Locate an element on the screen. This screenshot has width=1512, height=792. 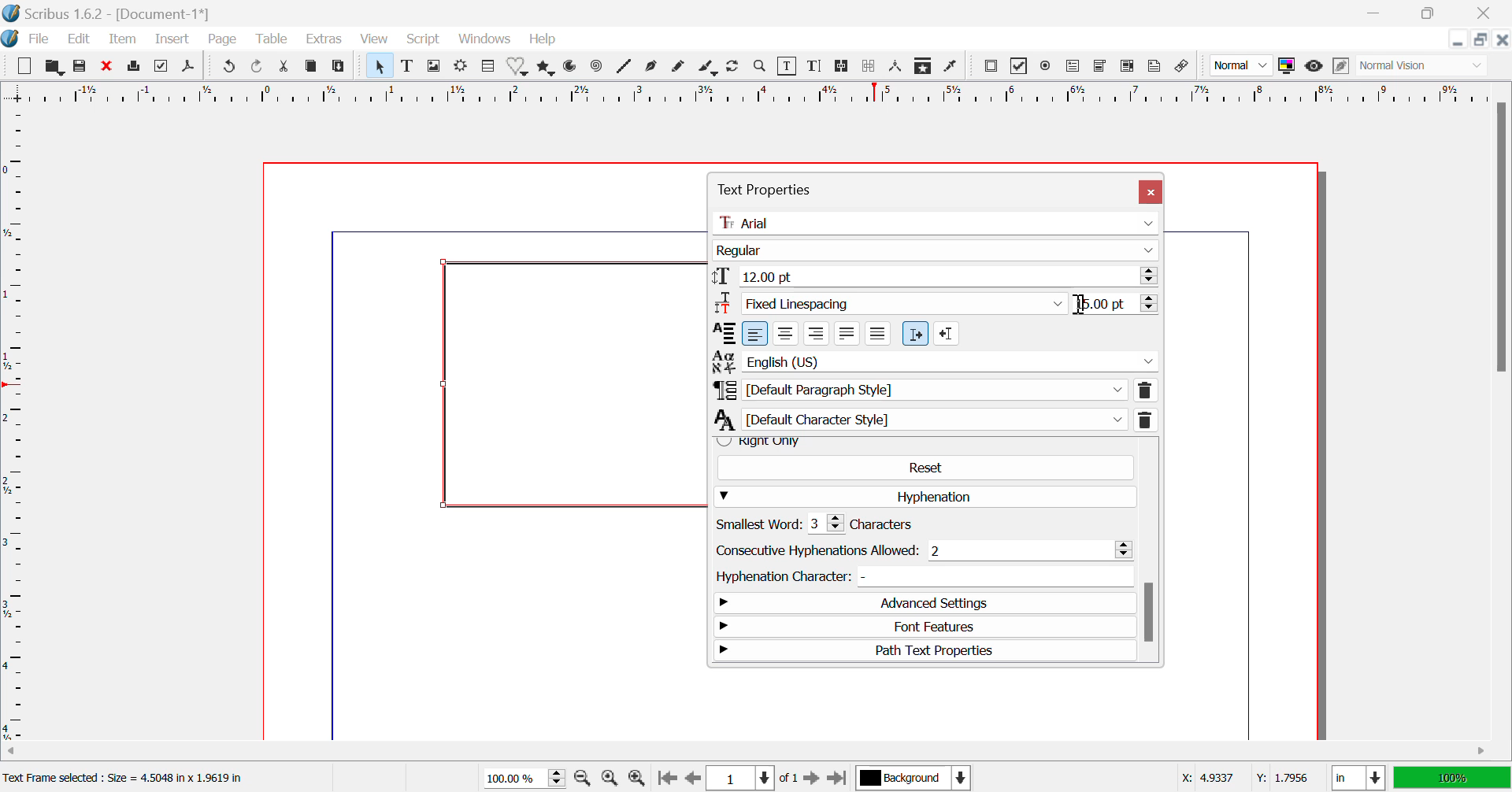
Reset is located at coordinates (925, 467).